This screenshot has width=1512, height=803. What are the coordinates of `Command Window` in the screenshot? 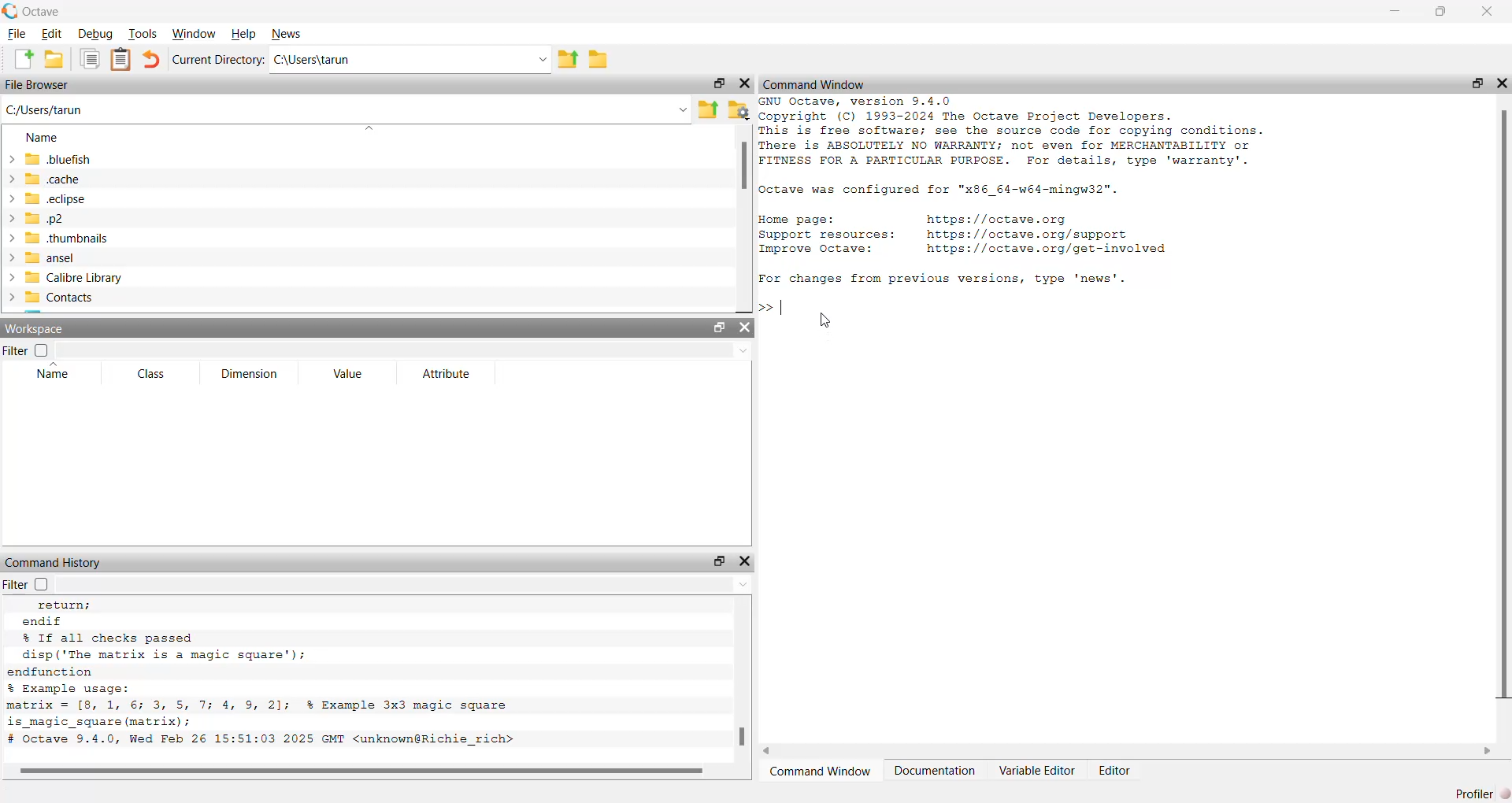 It's located at (819, 771).